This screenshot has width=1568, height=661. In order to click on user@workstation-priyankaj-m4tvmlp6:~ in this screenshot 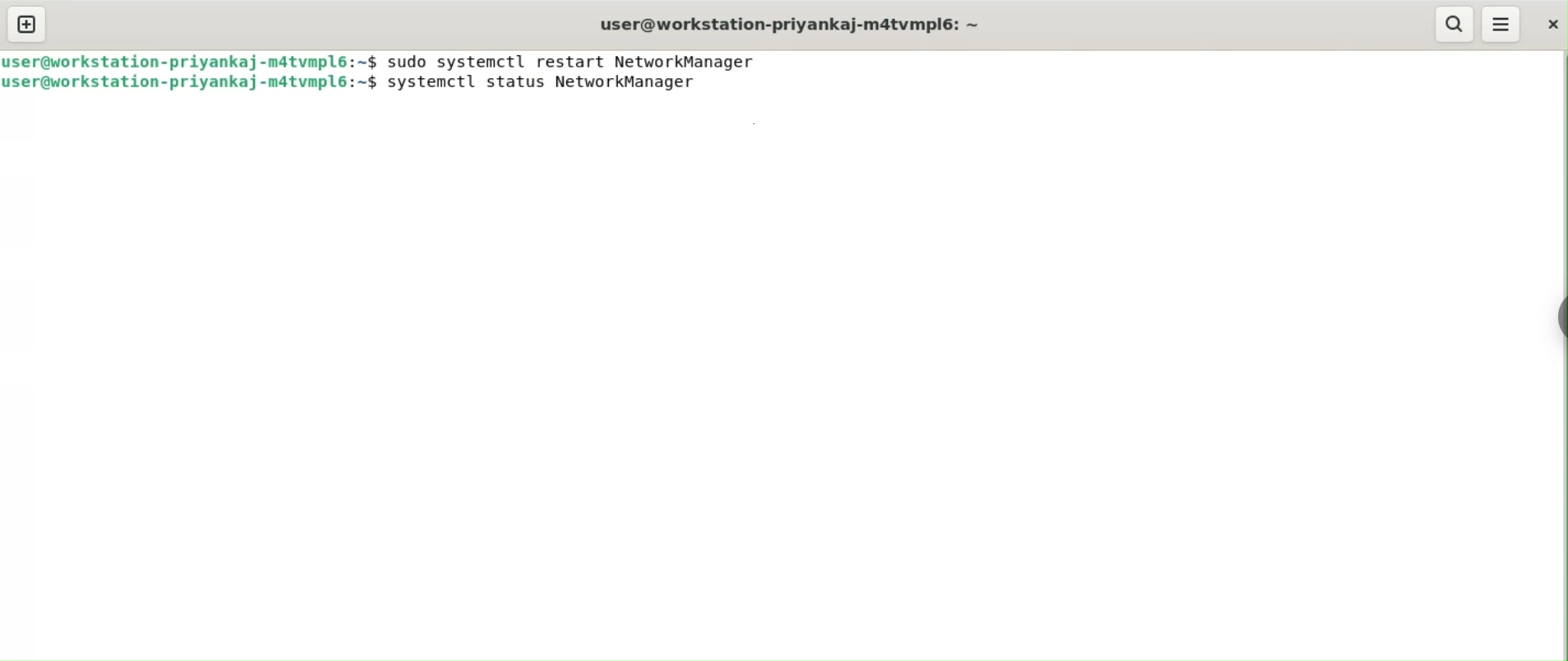, I will do `click(797, 23)`.